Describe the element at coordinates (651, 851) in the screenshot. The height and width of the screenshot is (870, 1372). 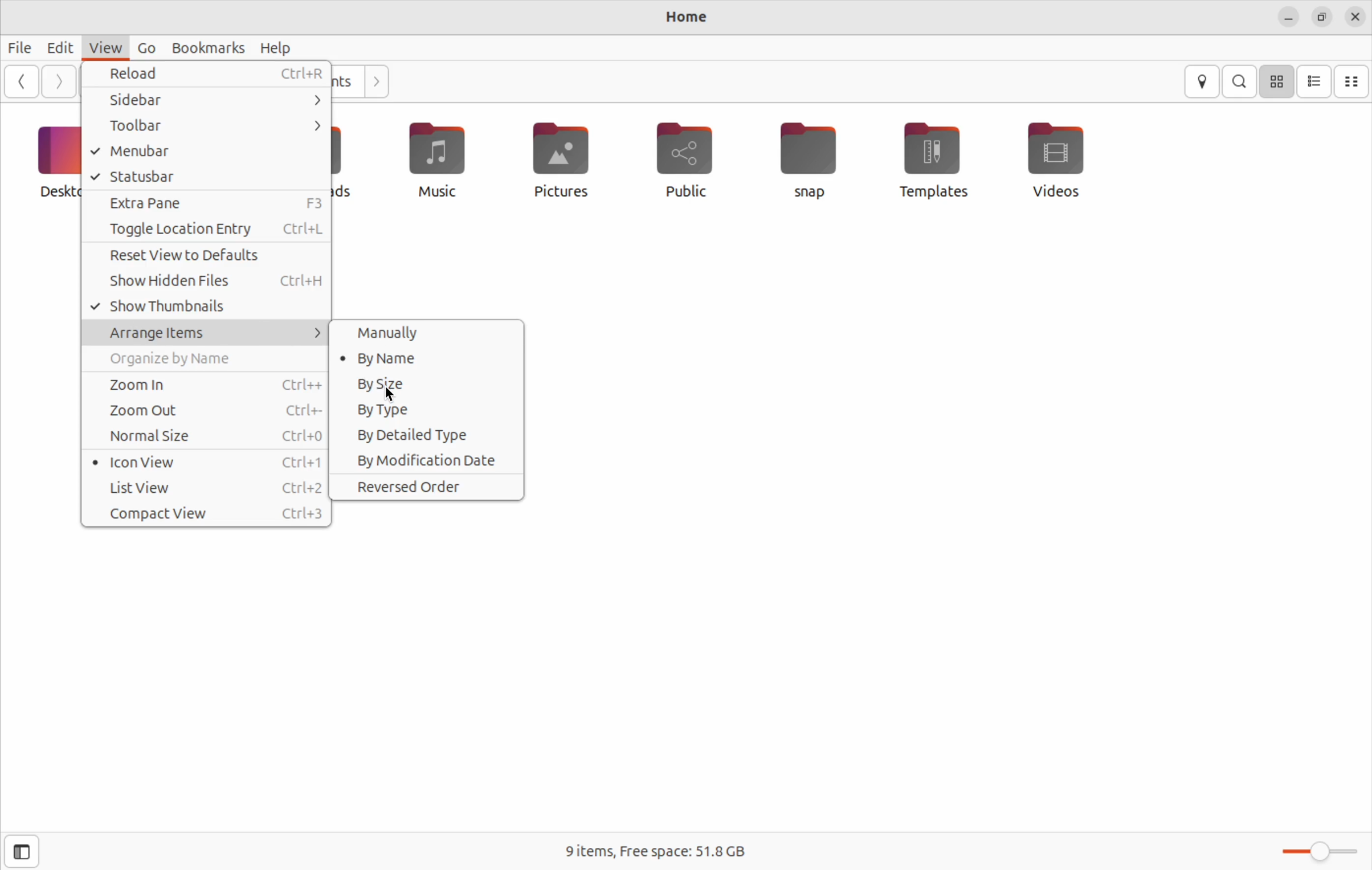
I see `free space` at that location.